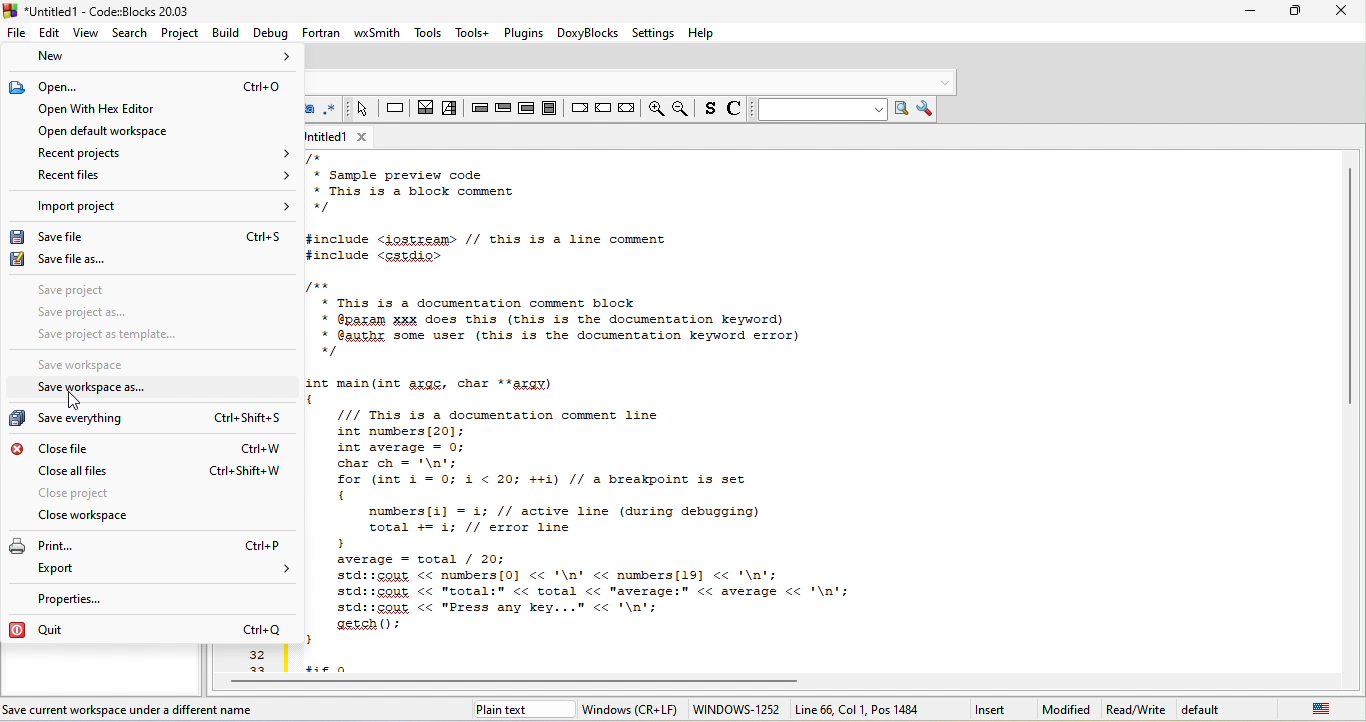 This screenshot has height=722, width=1366. I want to click on wxsmith, so click(378, 34).